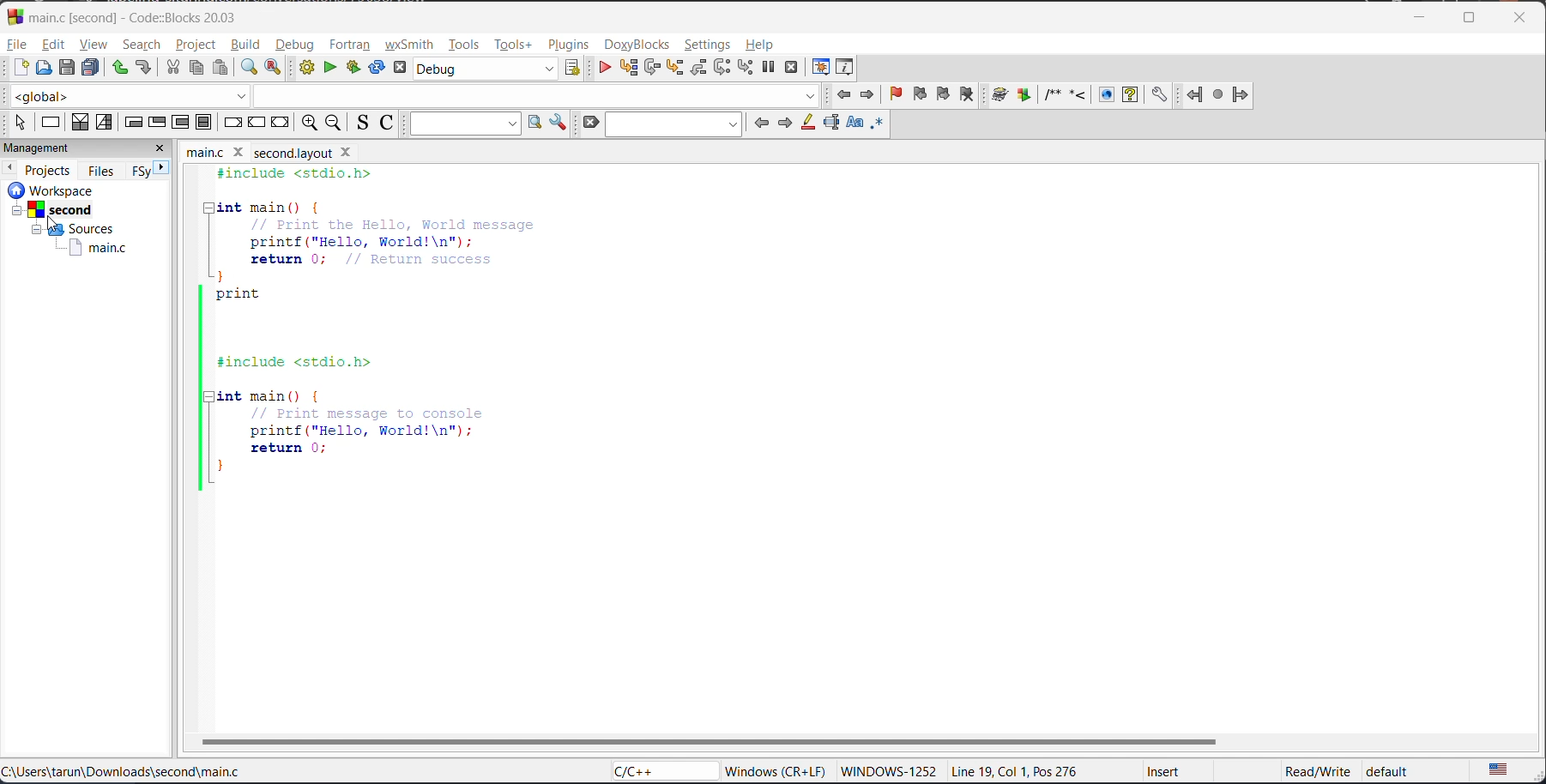  Describe the element at coordinates (940, 93) in the screenshot. I see `next bookmark` at that location.